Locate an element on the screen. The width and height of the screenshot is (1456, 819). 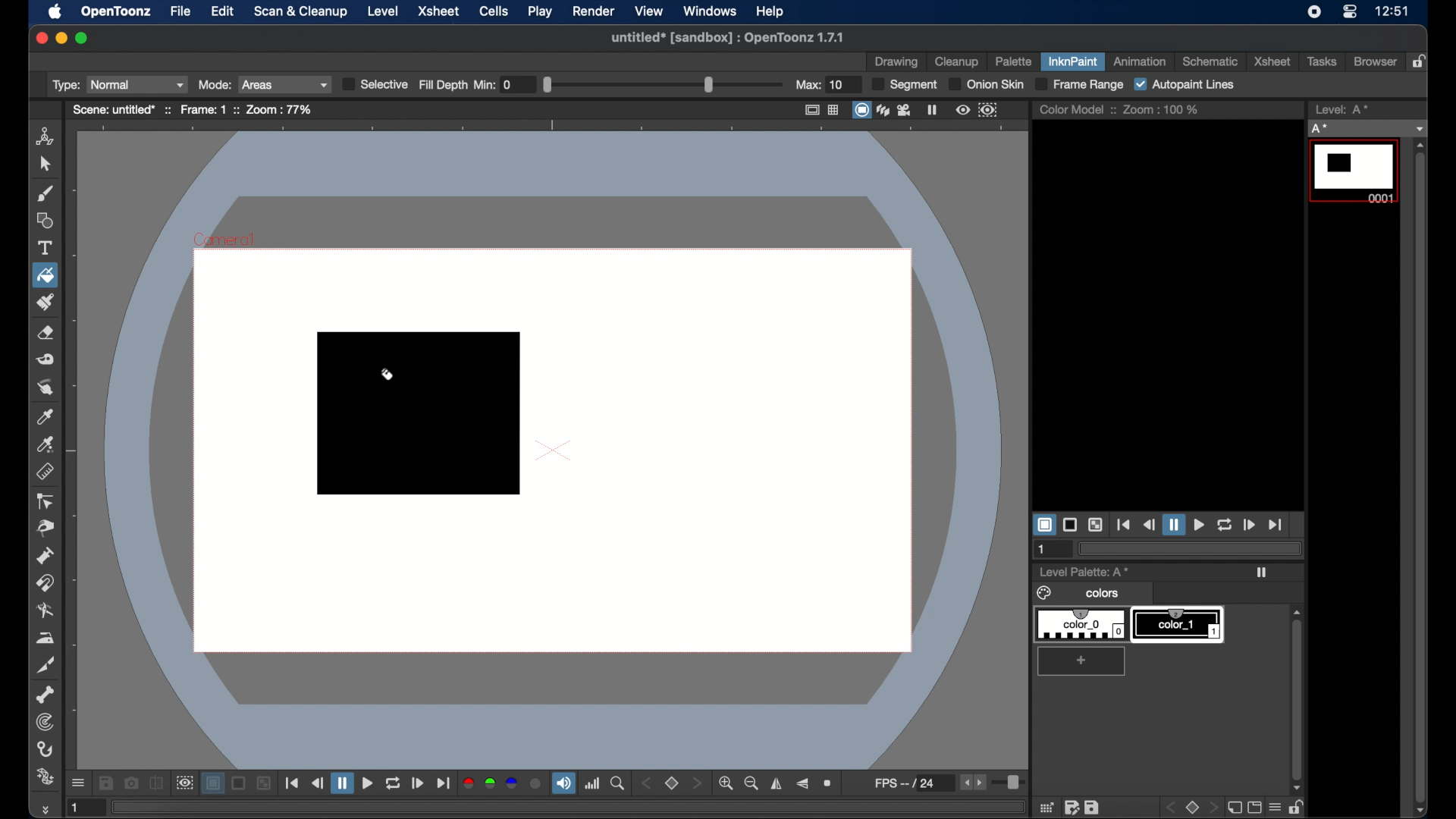
ontrol point editor tool is located at coordinates (45, 501).